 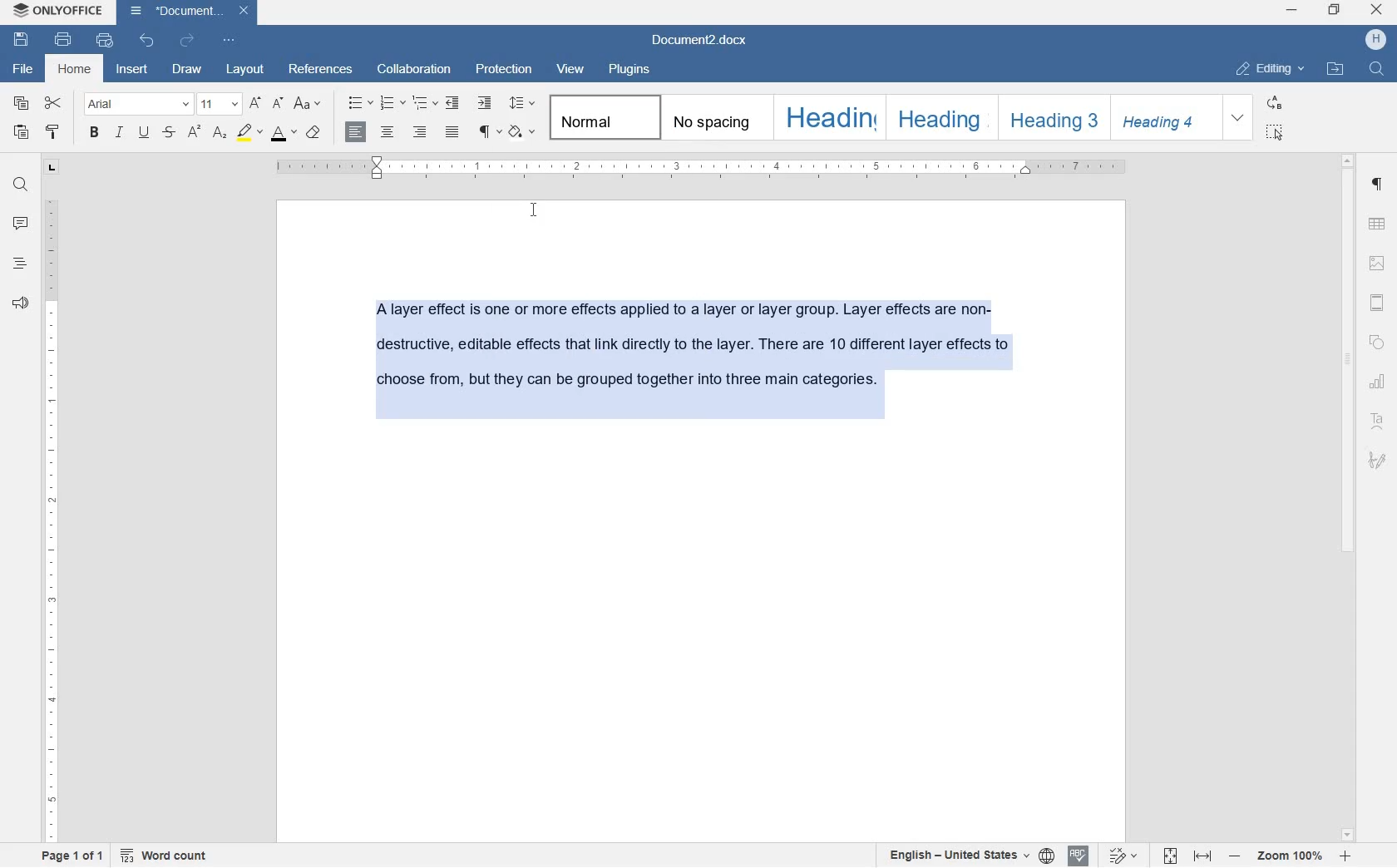 What do you see at coordinates (501, 71) in the screenshot?
I see `protection` at bounding box center [501, 71].